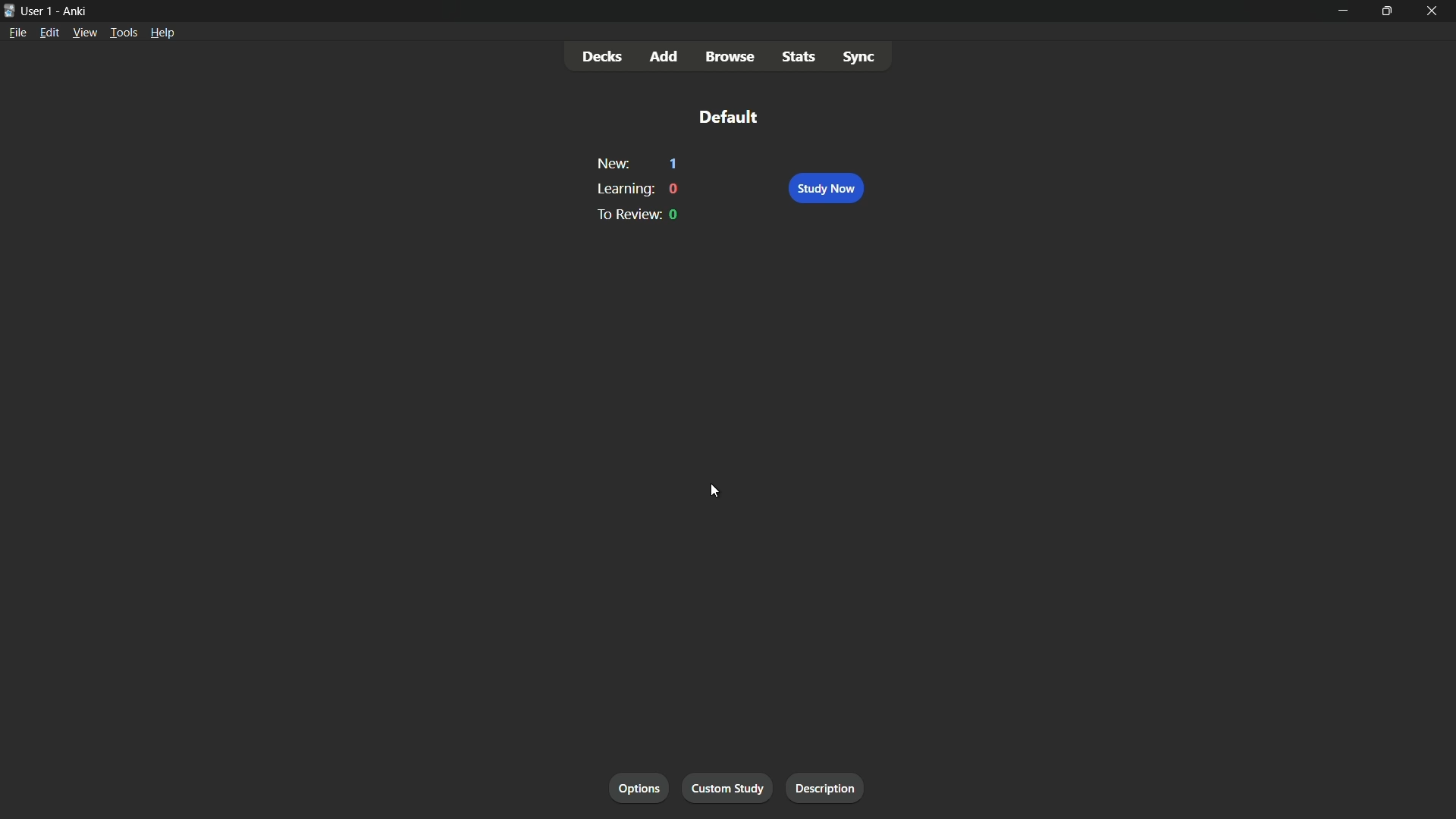 The image size is (1456, 819). Describe the element at coordinates (49, 33) in the screenshot. I see `edit` at that location.